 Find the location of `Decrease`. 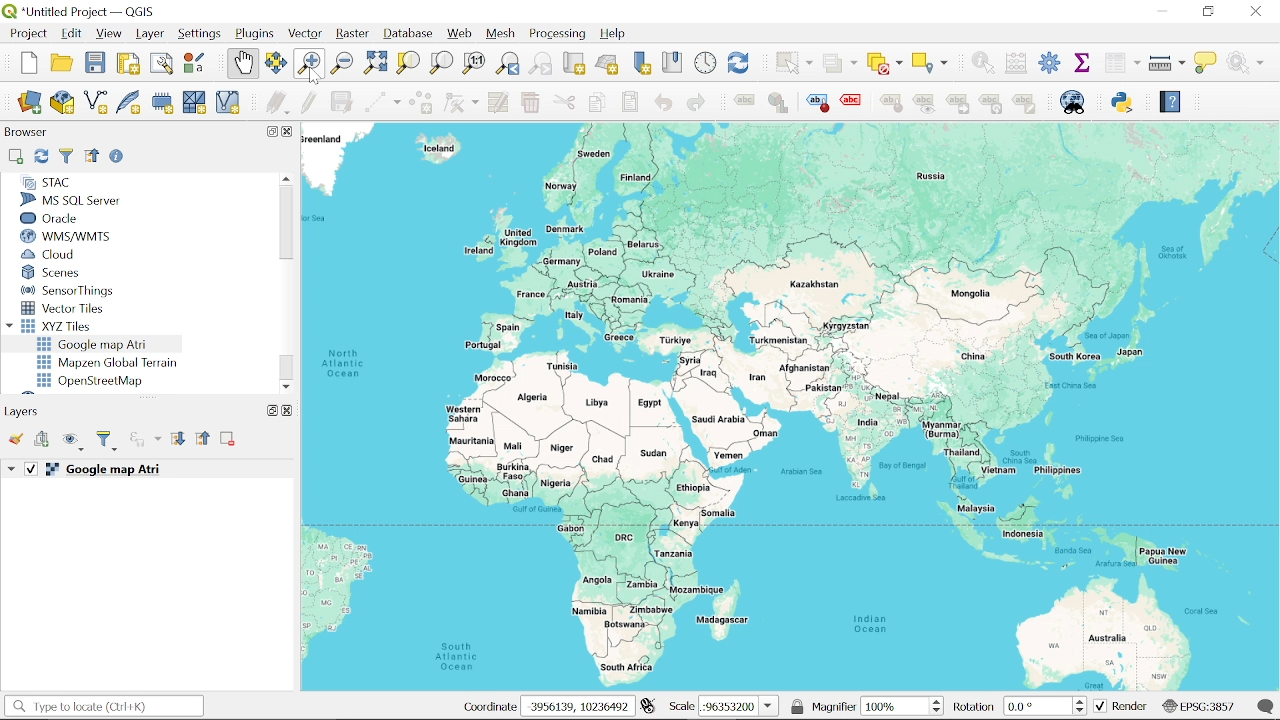

Decrease is located at coordinates (939, 711).